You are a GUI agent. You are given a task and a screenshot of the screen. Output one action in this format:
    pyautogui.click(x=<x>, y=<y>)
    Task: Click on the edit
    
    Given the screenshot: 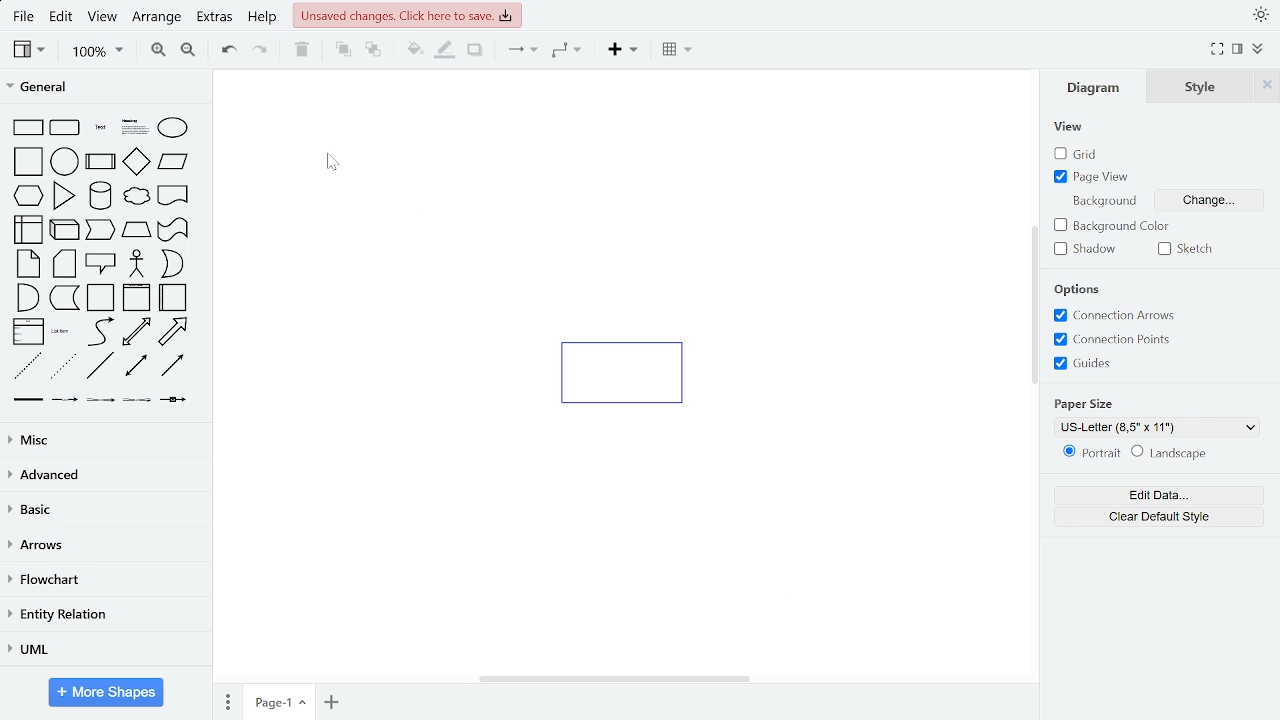 What is the action you would take?
    pyautogui.click(x=62, y=17)
    